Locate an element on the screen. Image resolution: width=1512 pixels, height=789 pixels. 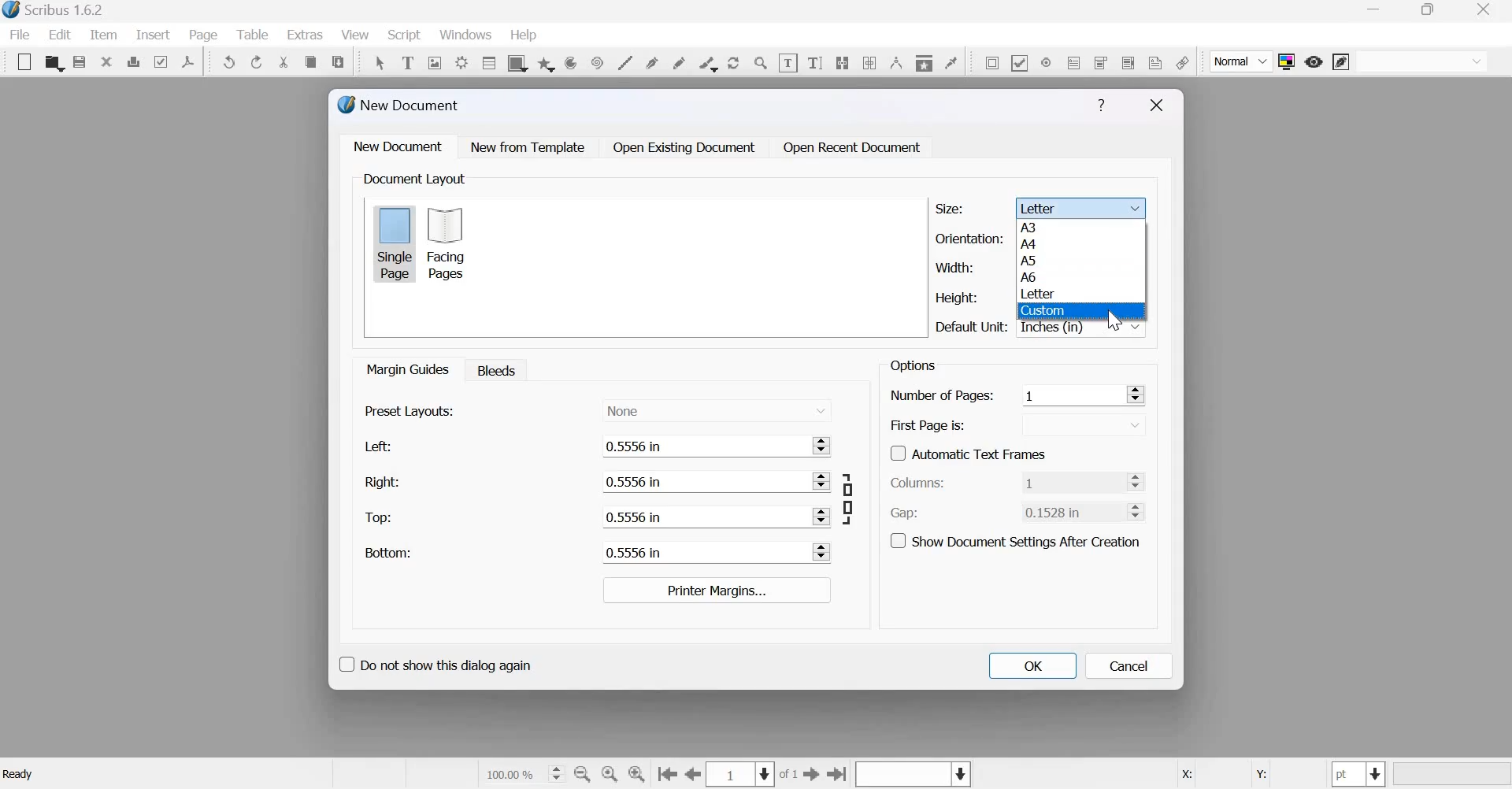
Text Annotation is located at coordinates (1155, 62).